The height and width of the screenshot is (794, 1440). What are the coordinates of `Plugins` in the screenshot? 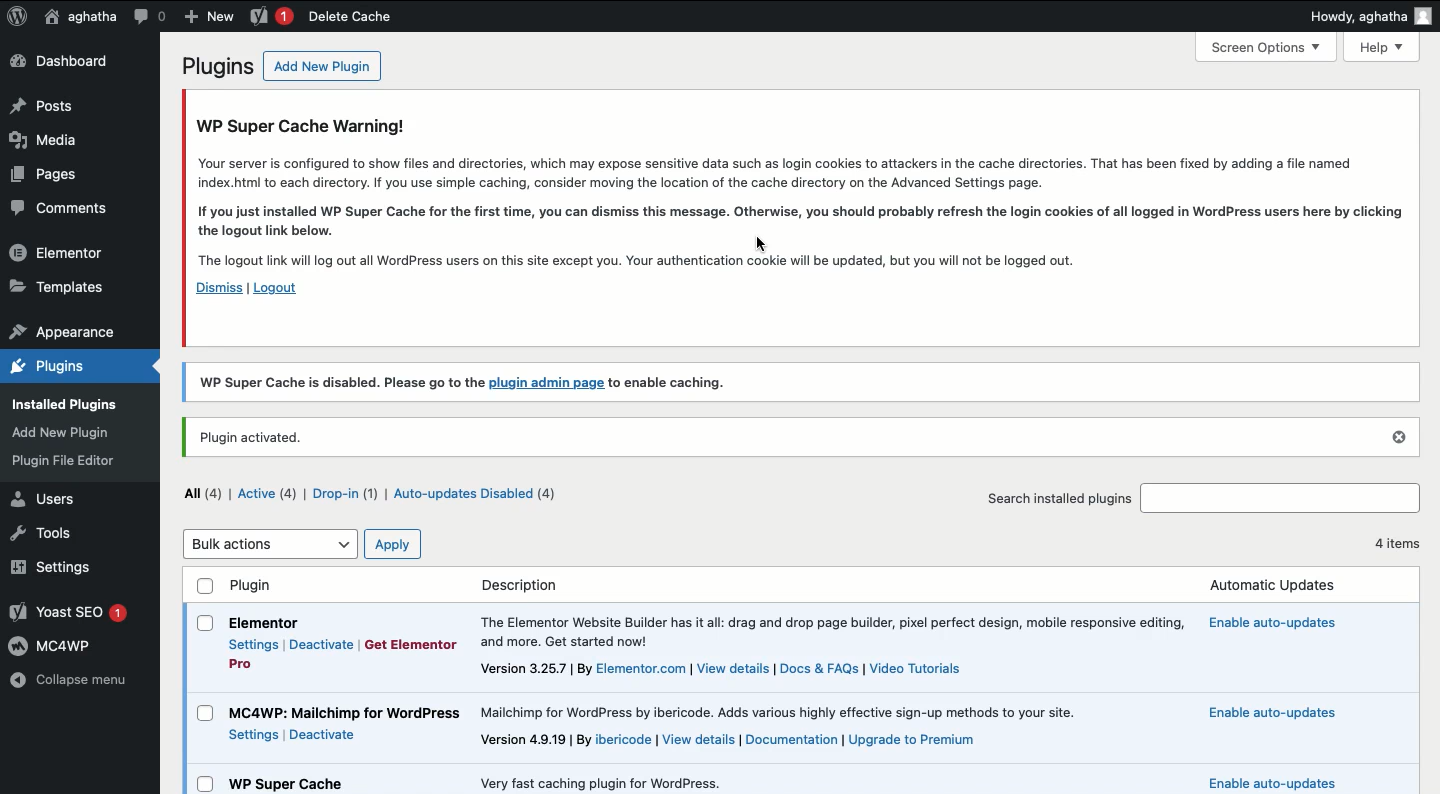 It's located at (216, 66).